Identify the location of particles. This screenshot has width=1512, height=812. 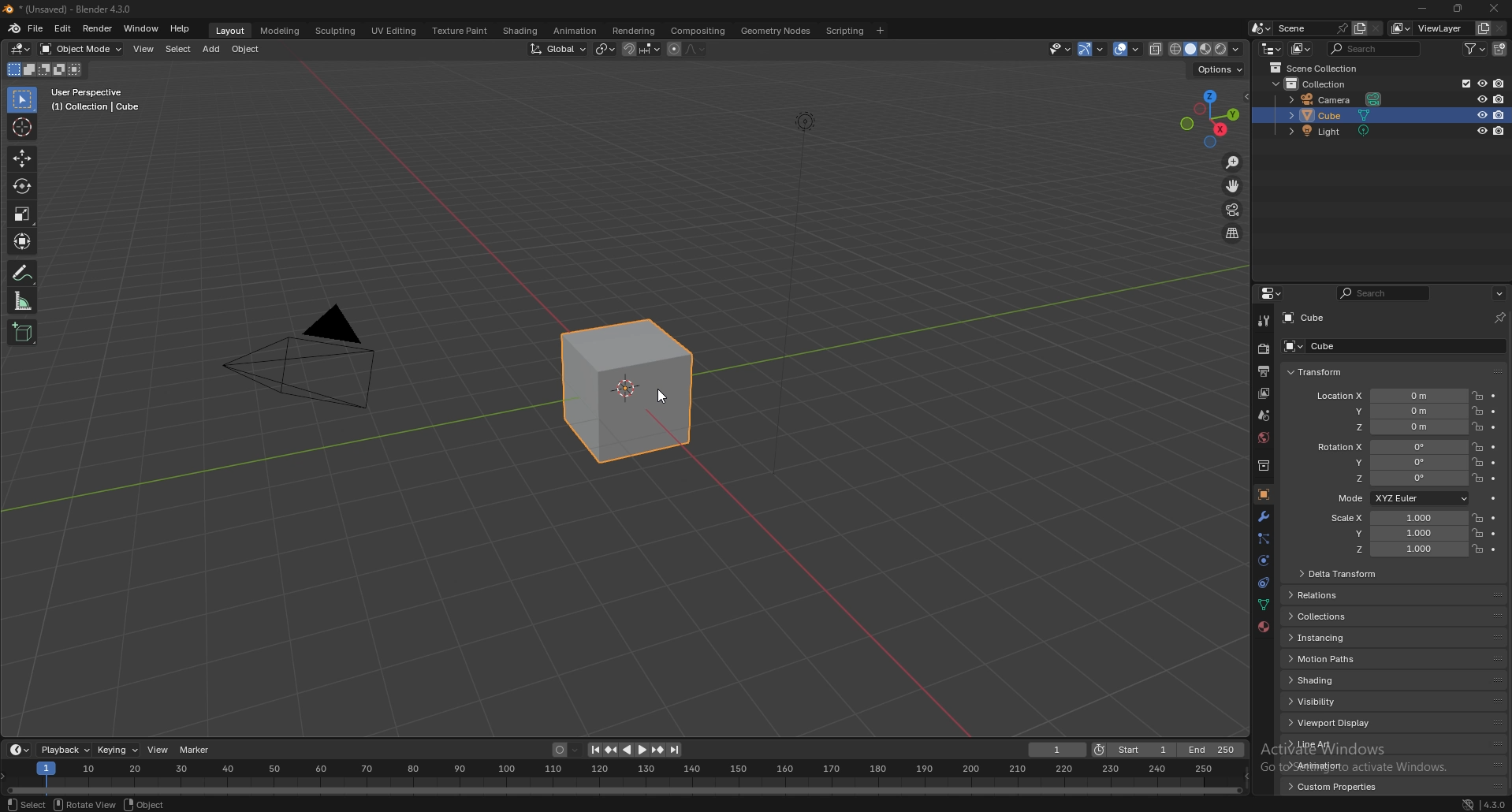
(1264, 540).